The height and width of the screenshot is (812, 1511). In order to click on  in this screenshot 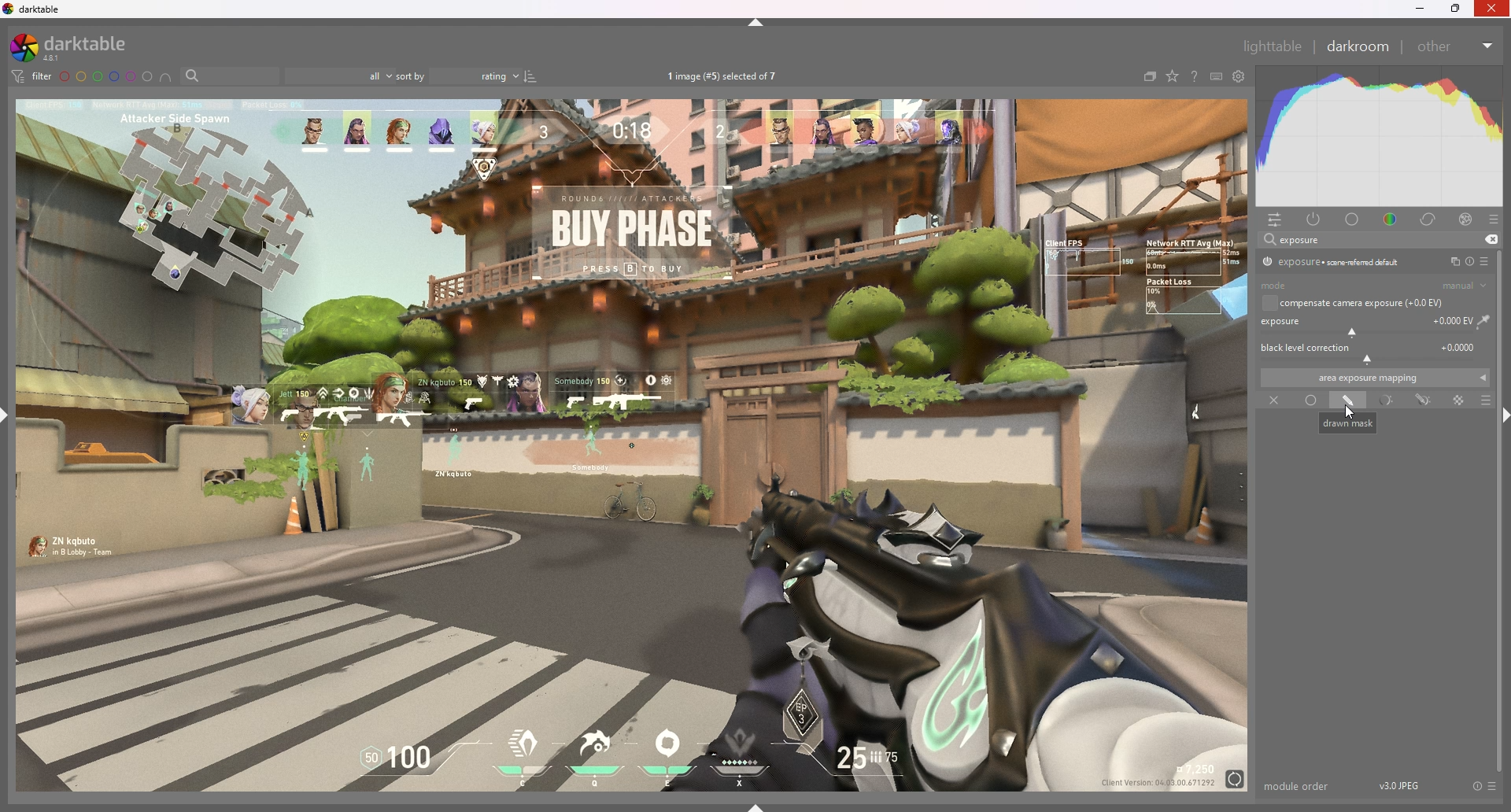, I will do `click(1493, 9)`.